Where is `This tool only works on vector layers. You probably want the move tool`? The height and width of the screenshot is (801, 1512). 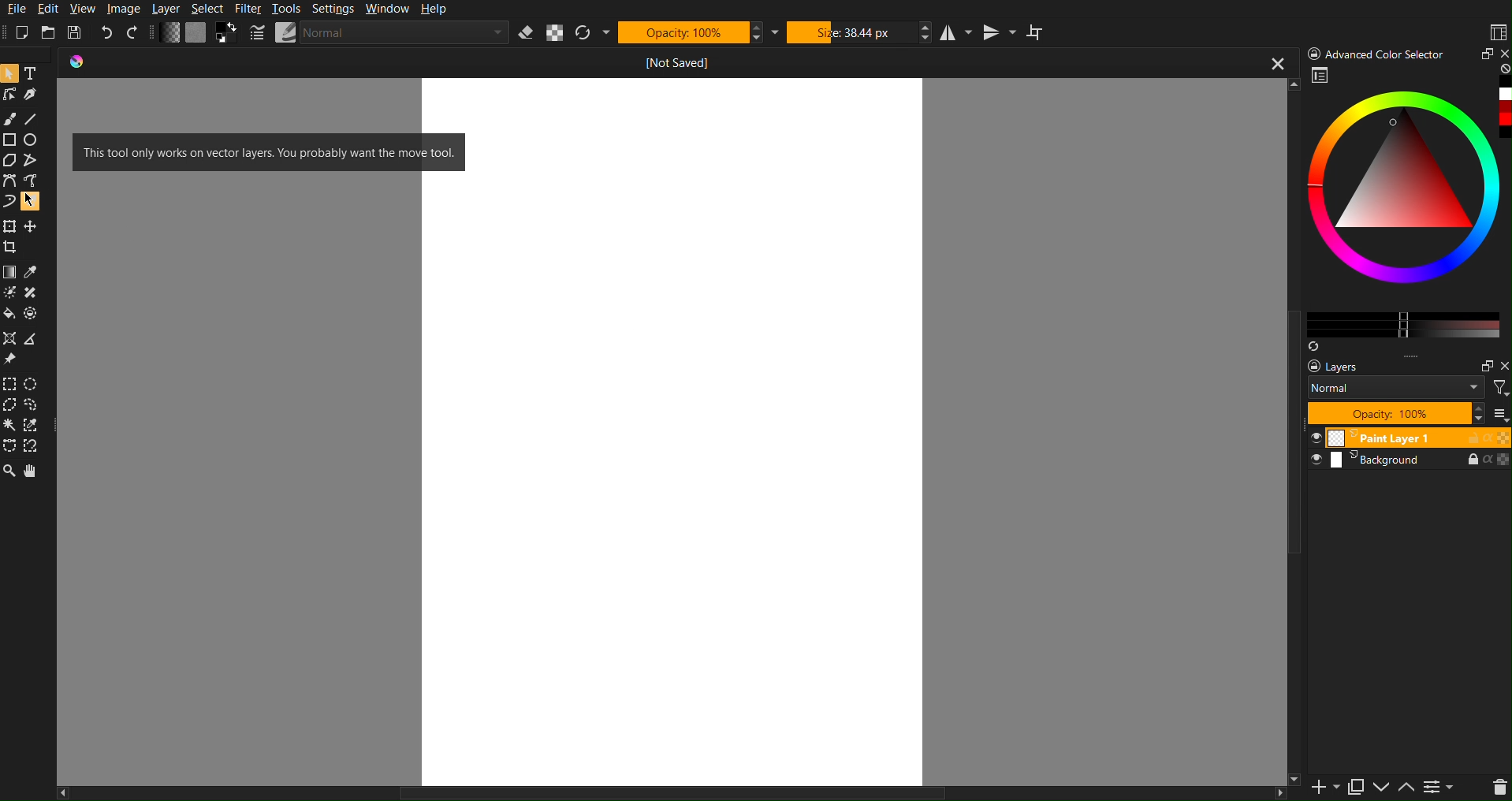 This tool only works on vector layers. You probably want the move tool is located at coordinates (268, 151).